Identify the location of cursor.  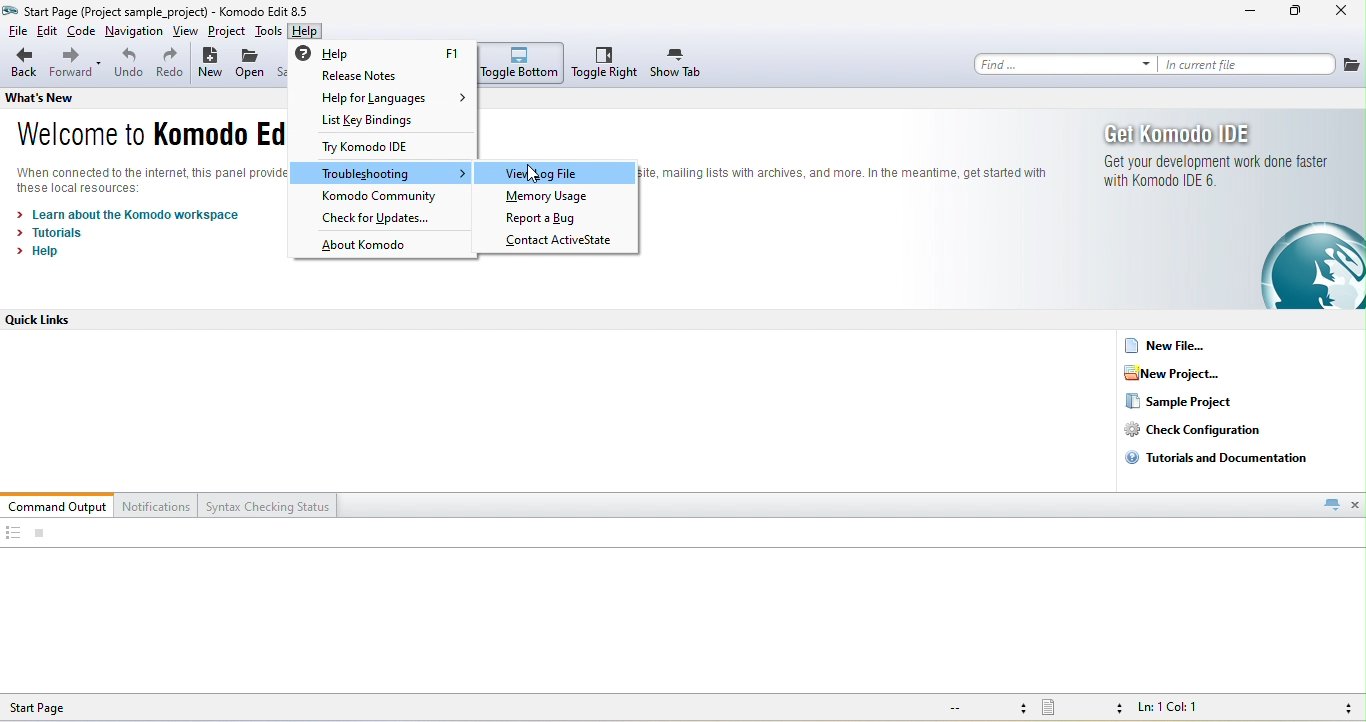
(532, 174).